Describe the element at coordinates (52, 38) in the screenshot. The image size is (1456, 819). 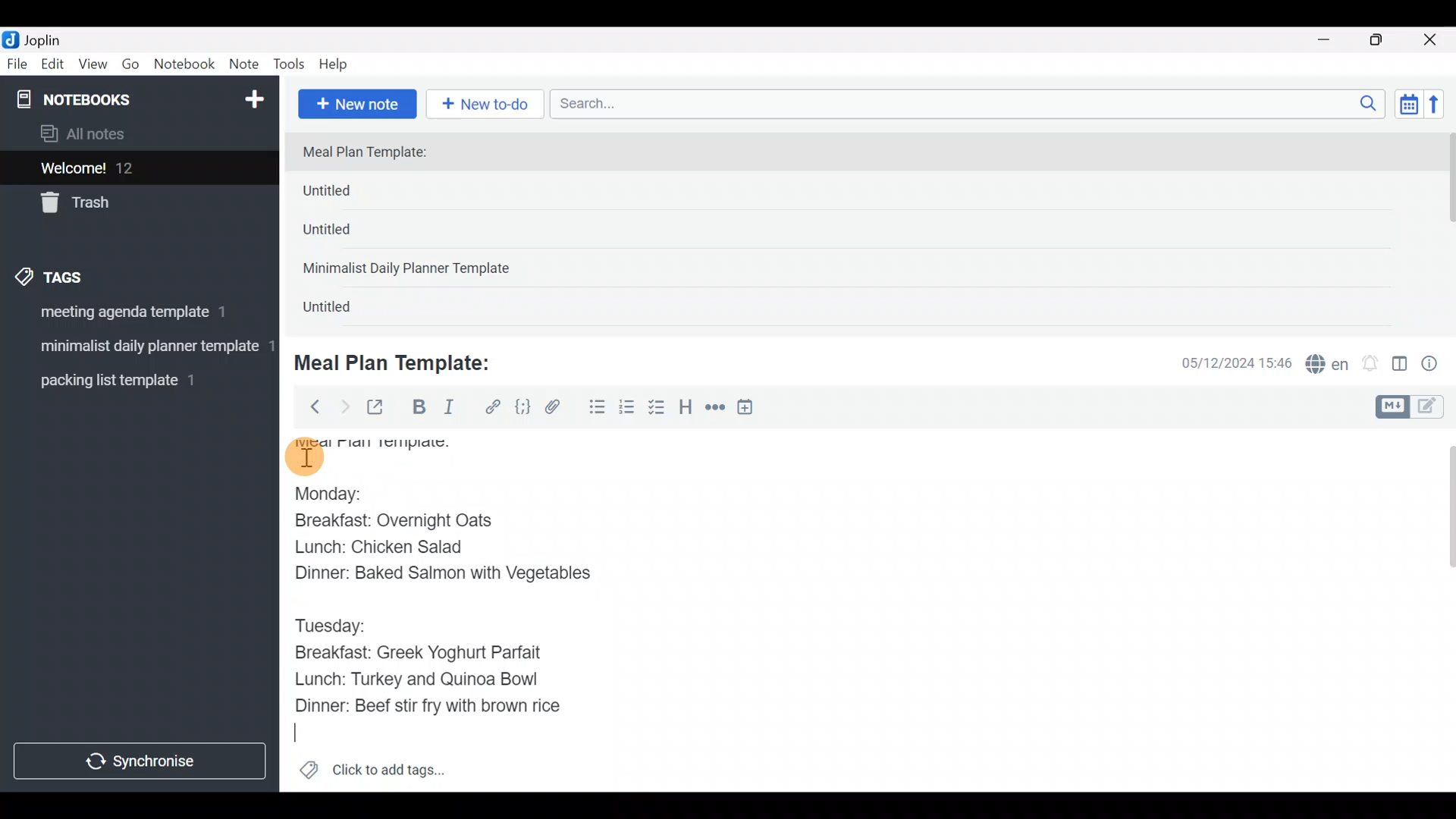
I see `Joplin` at that location.